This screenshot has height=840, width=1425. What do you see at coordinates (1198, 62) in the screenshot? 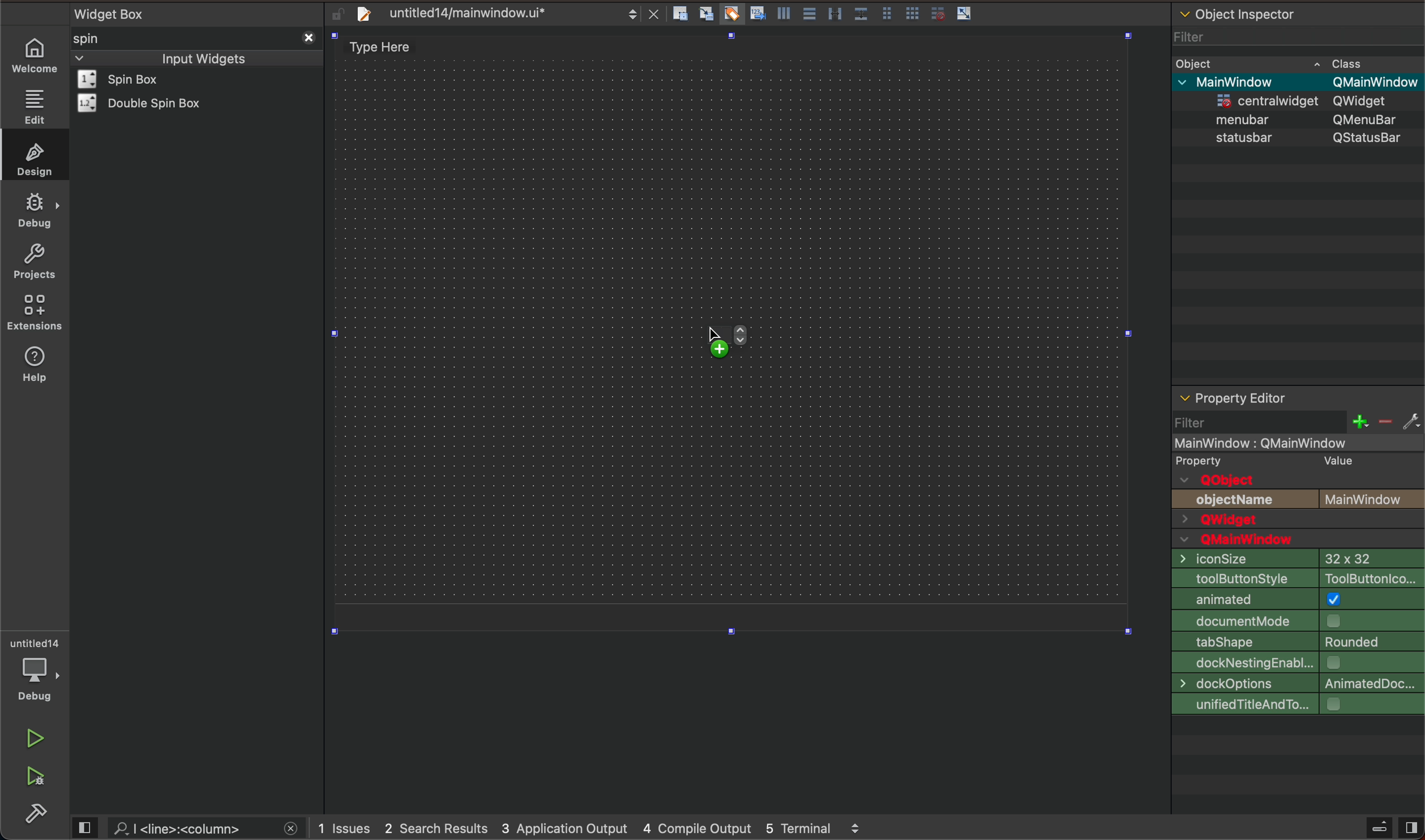
I see `object` at bounding box center [1198, 62].